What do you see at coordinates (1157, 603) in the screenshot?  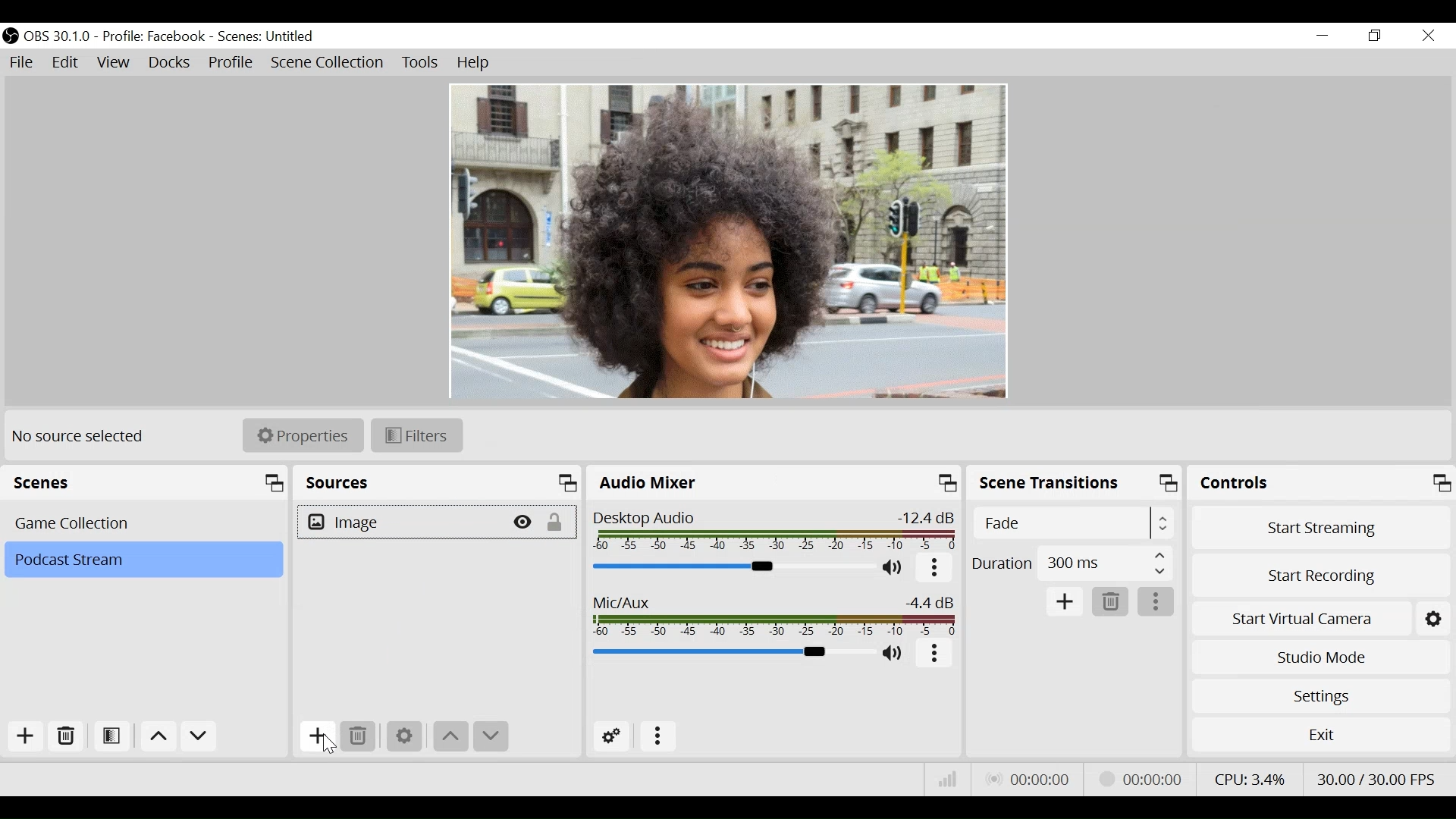 I see `more options` at bounding box center [1157, 603].